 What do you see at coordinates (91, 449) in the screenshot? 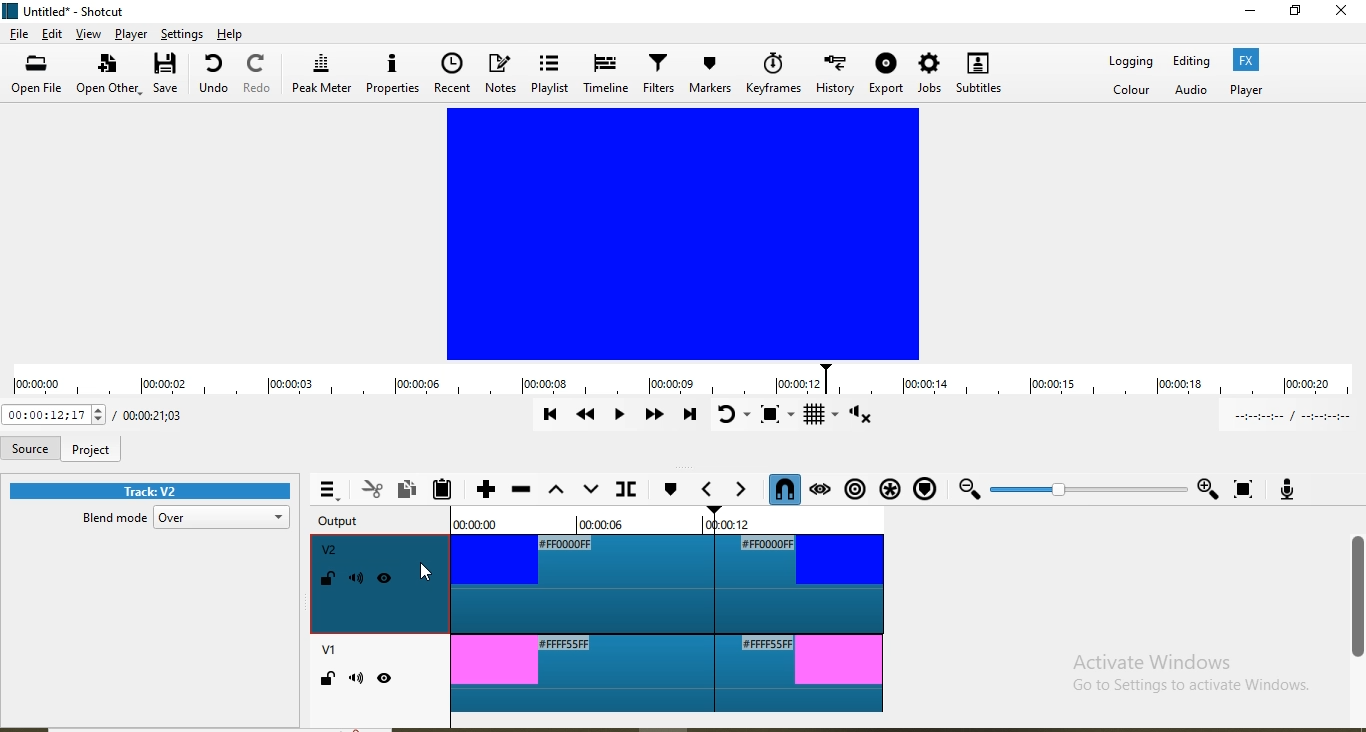
I see `project` at bounding box center [91, 449].